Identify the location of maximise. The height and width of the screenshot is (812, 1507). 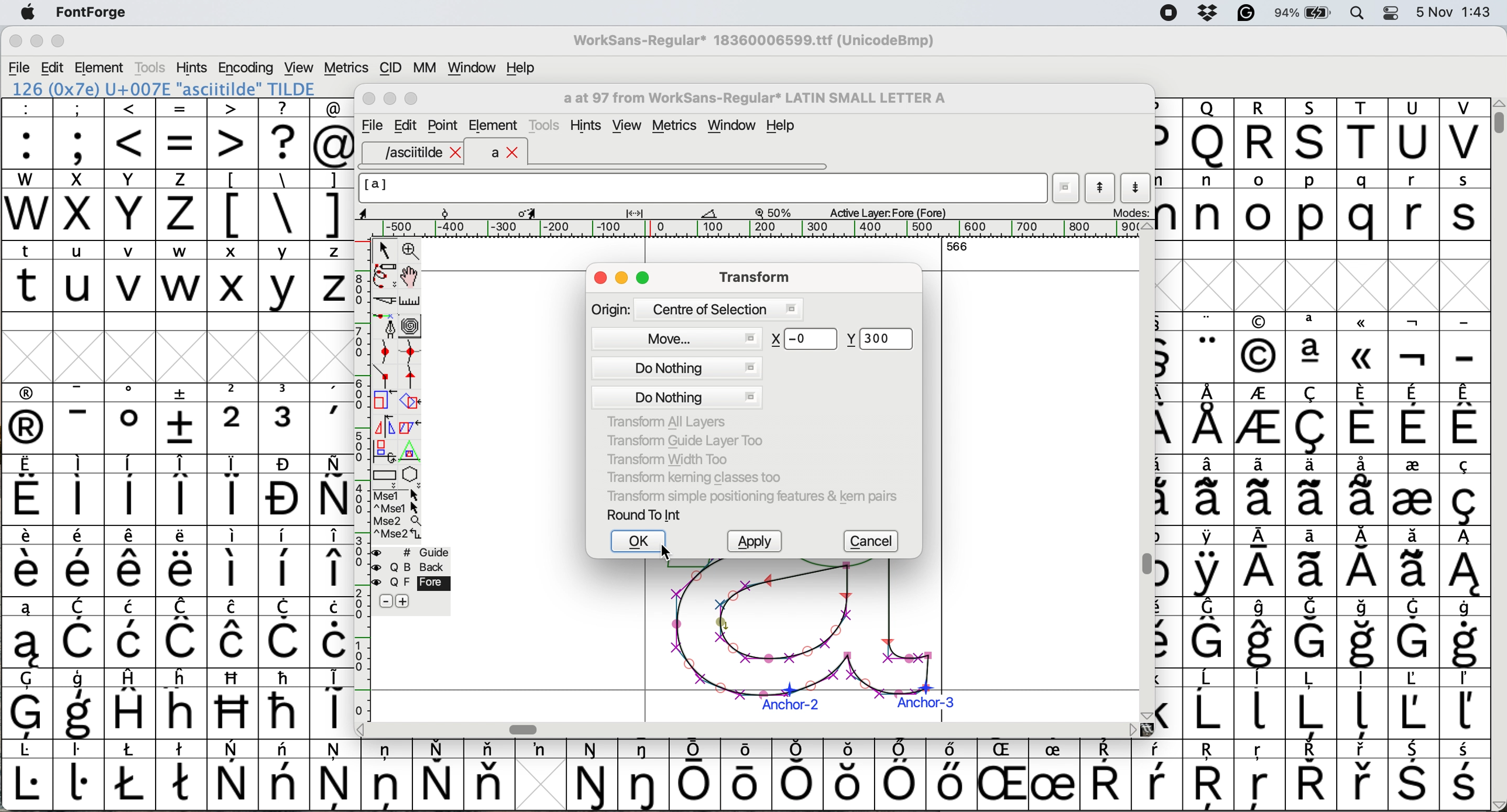
(59, 44).